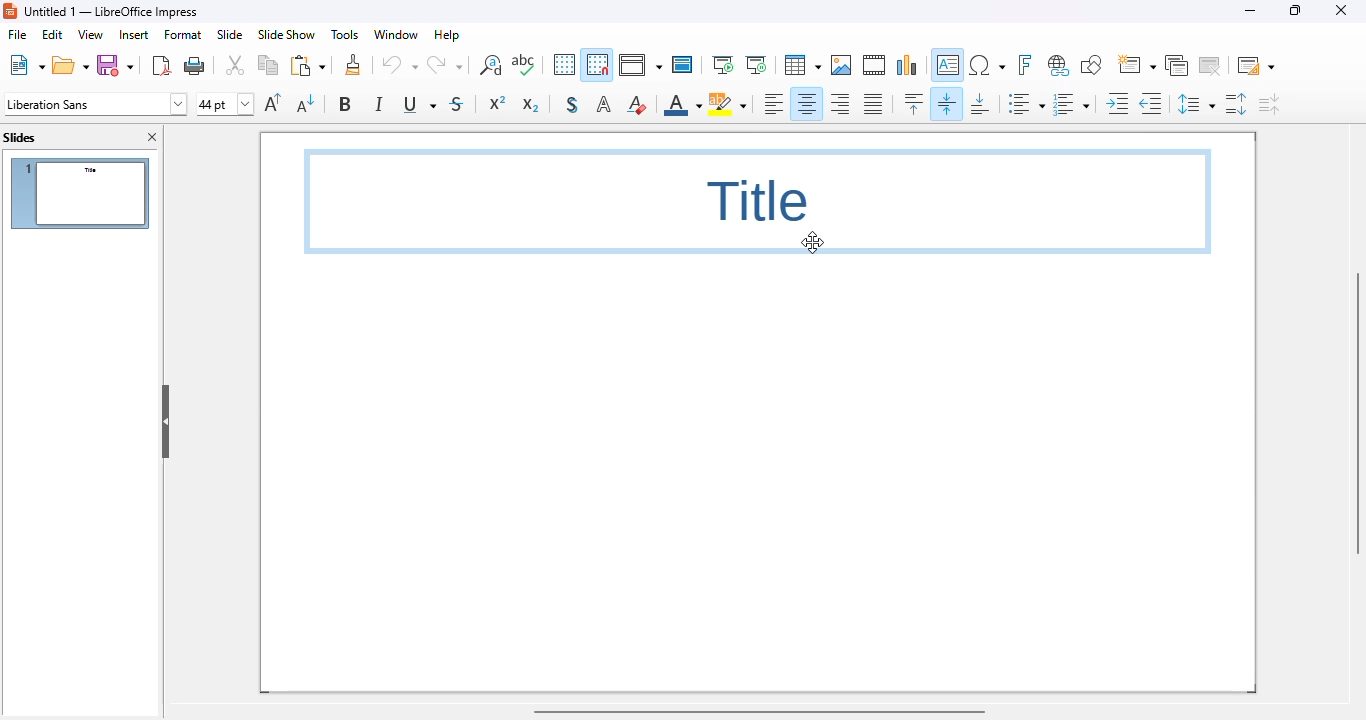 This screenshot has width=1366, height=720. What do you see at coordinates (802, 65) in the screenshot?
I see `table` at bounding box center [802, 65].